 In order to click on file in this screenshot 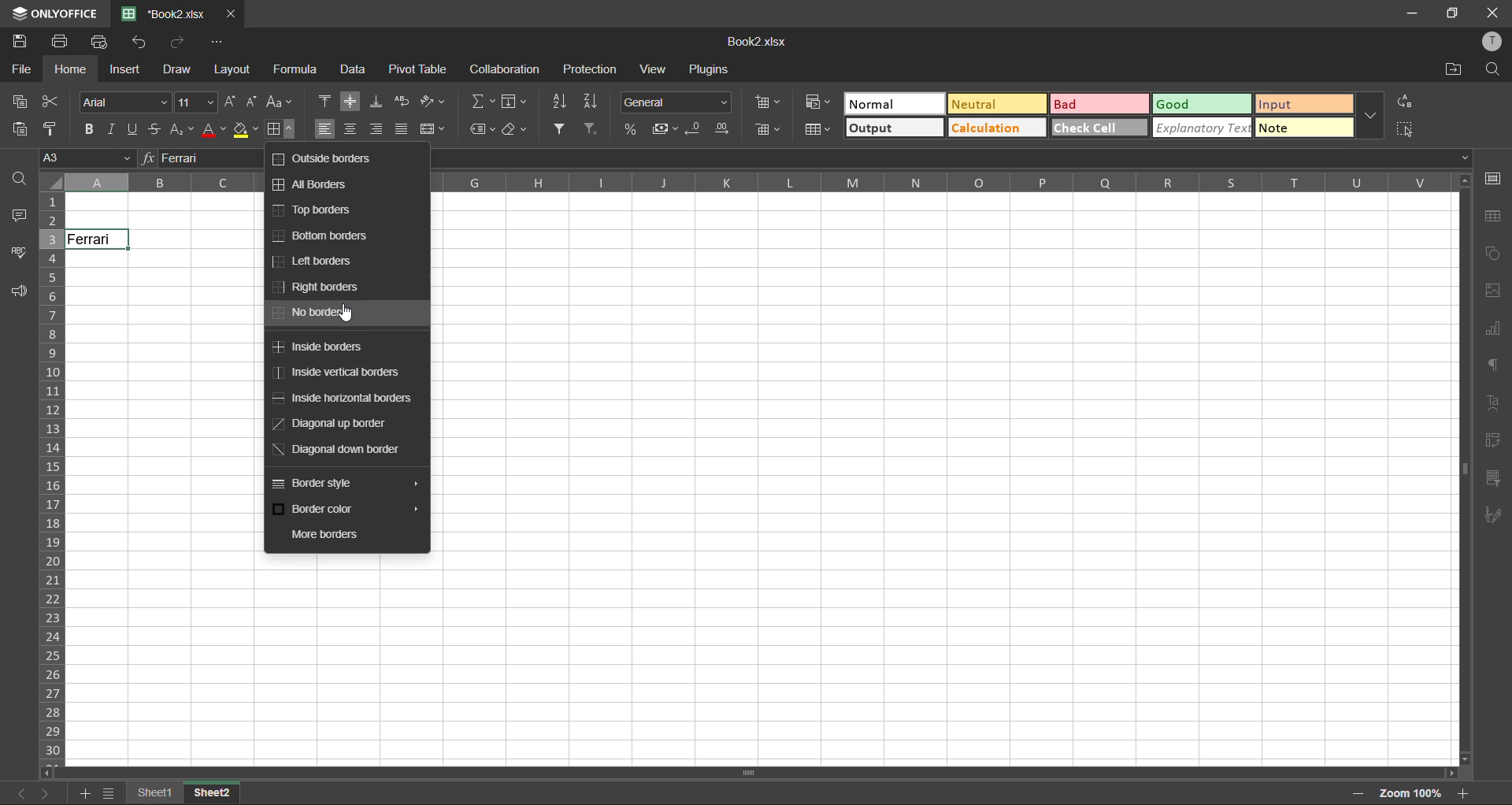, I will do `click(20, 69)`.